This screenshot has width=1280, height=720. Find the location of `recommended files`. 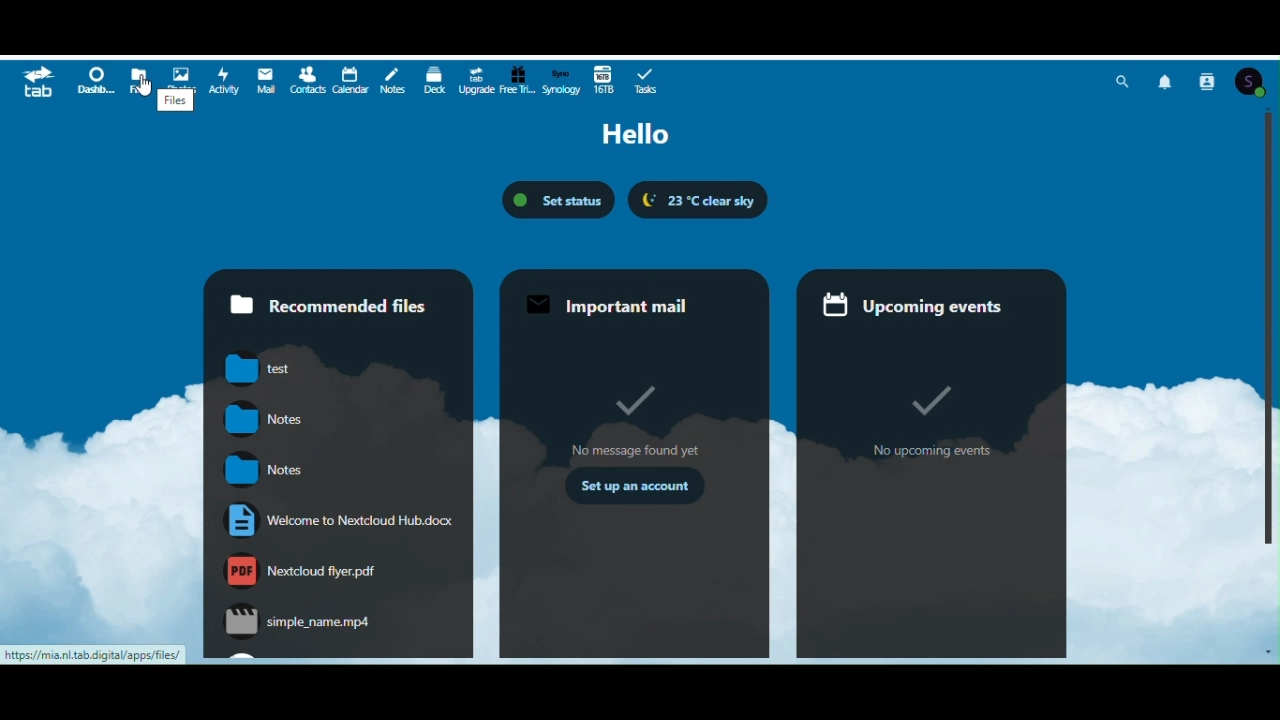

recommended files is located at coordinates (335, 294).